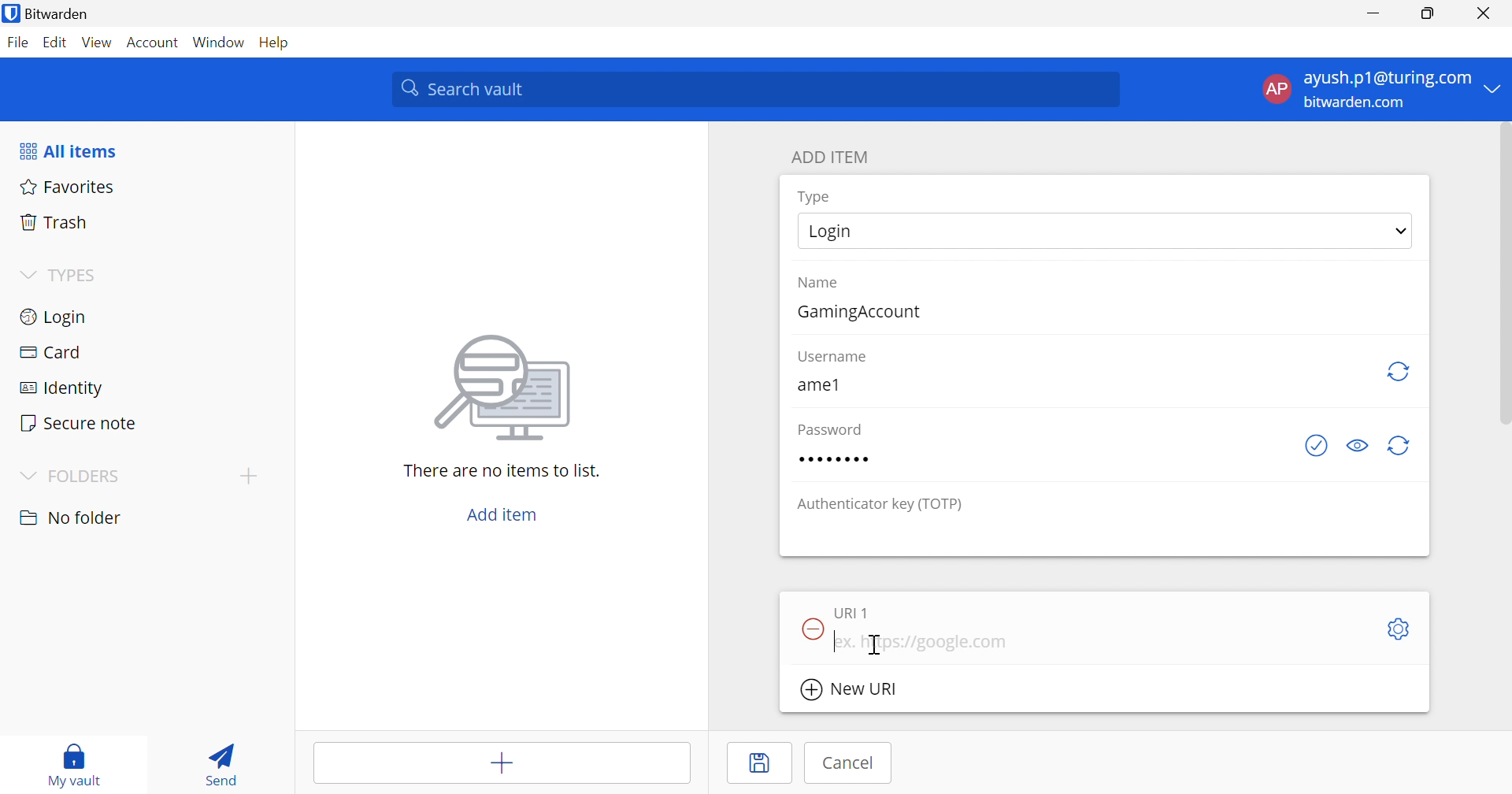 This screenshot has width=1512, height=794. I want to click on Favorites, so click(68, 188).